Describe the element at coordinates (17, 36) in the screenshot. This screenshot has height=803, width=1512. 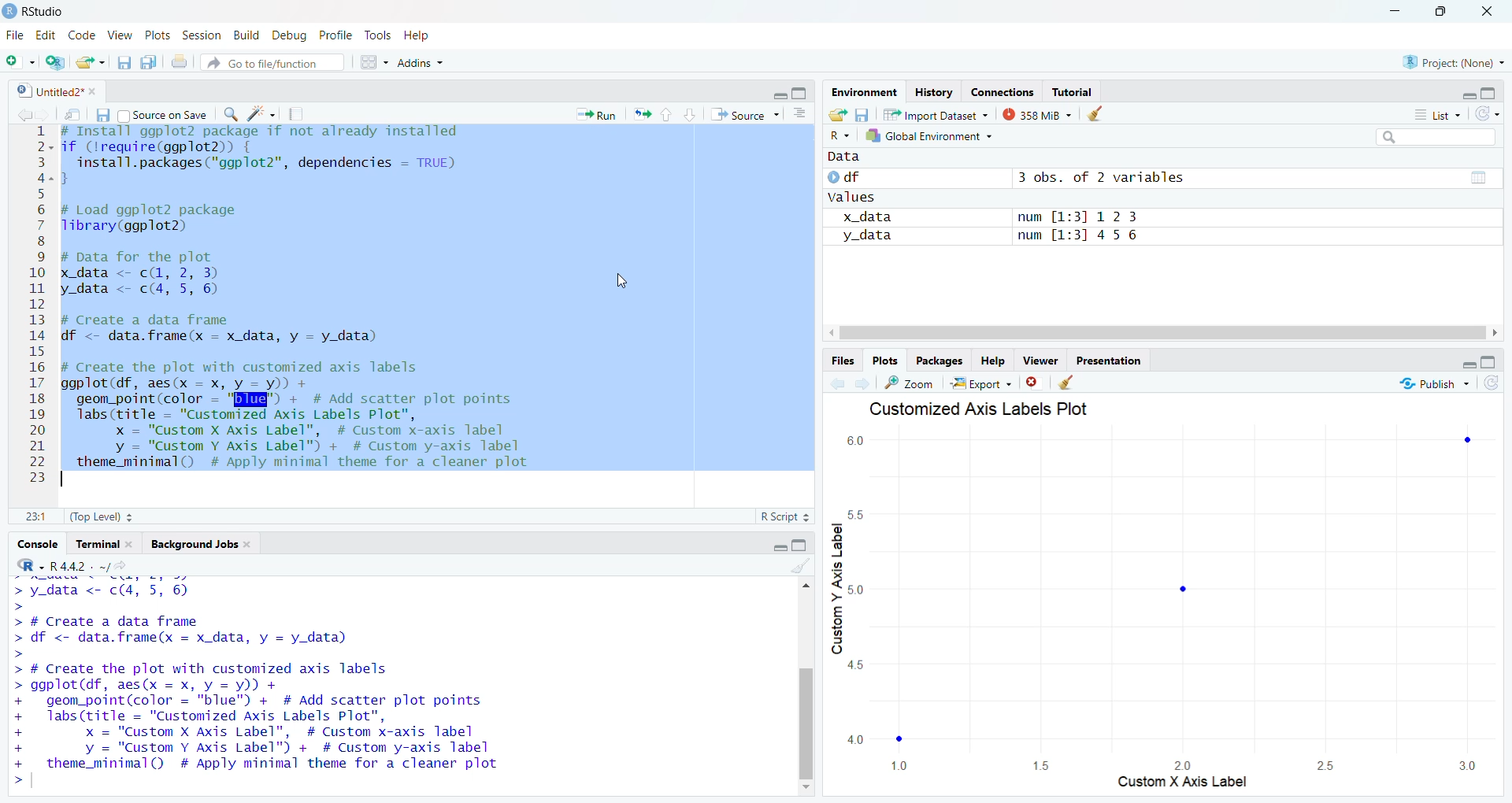
I see `File` at that location.